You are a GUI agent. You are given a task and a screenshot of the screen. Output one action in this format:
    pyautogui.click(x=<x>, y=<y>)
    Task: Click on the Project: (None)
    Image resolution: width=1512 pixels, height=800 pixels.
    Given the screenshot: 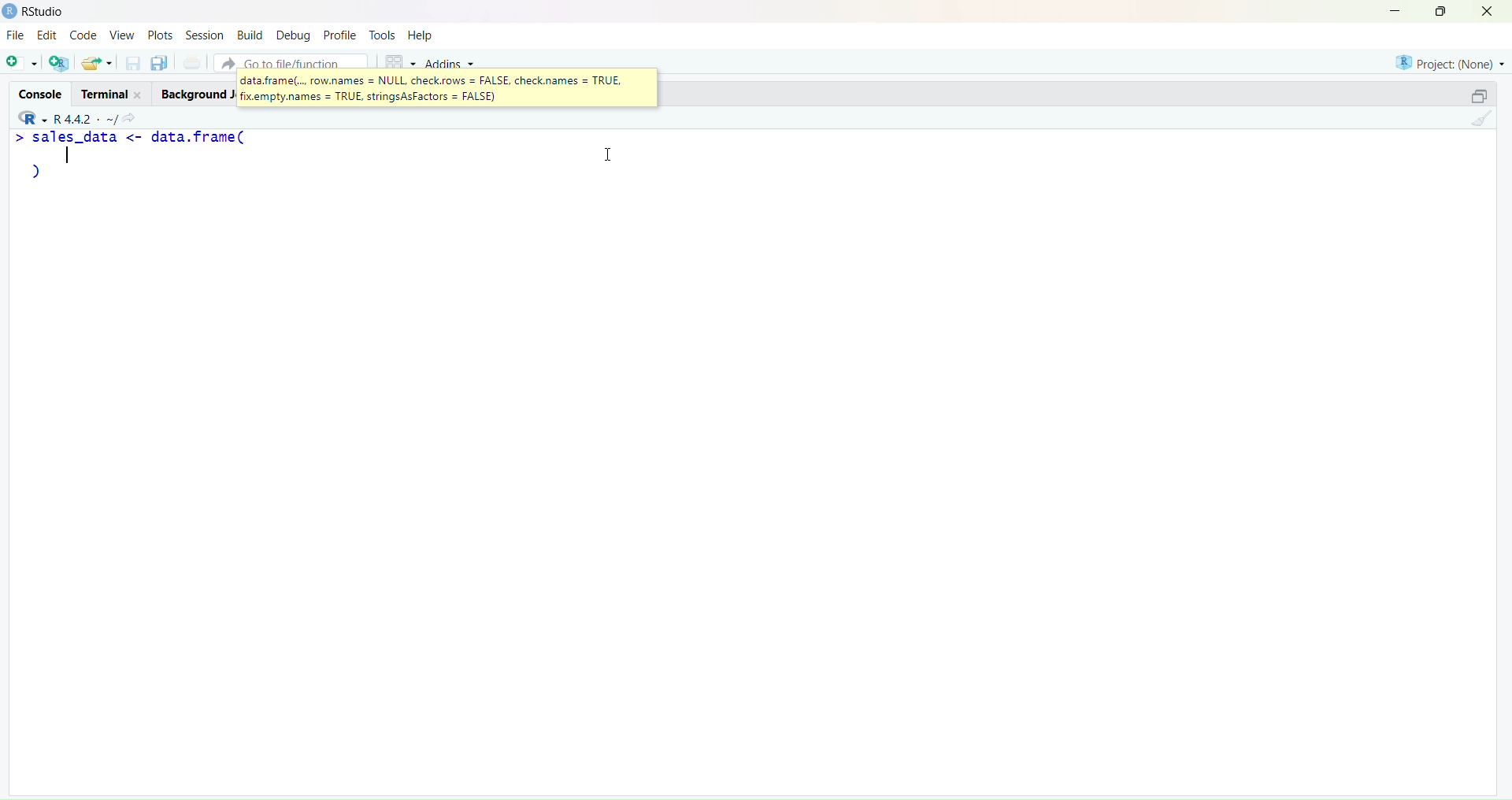 What is the action you would take?
    pyautogui.click(x=1450, y=61)
    